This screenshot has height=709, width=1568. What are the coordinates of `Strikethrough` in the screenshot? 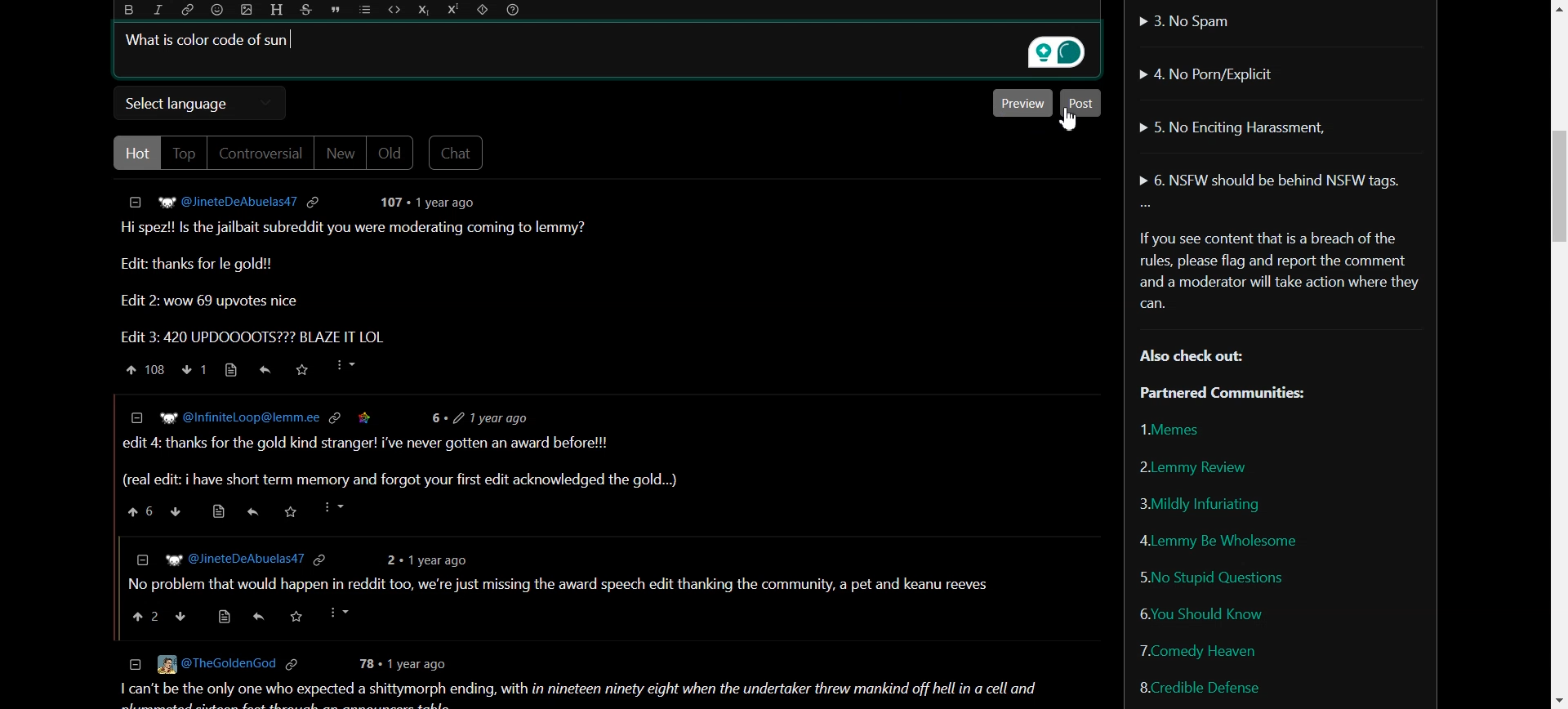 It's located at (307, 10).